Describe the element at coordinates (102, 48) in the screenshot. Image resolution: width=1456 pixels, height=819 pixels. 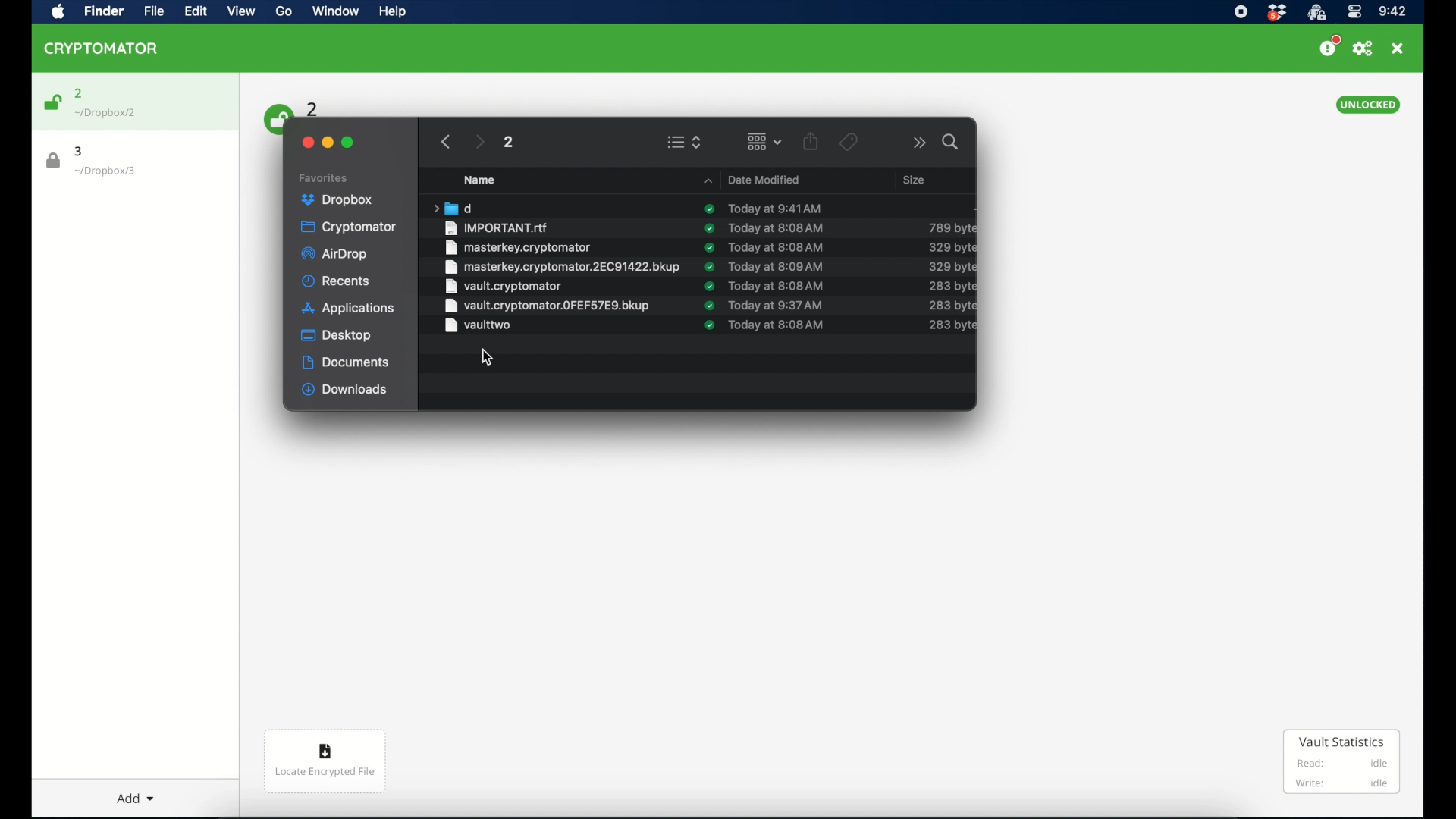
I see `cryptomator` at that location.